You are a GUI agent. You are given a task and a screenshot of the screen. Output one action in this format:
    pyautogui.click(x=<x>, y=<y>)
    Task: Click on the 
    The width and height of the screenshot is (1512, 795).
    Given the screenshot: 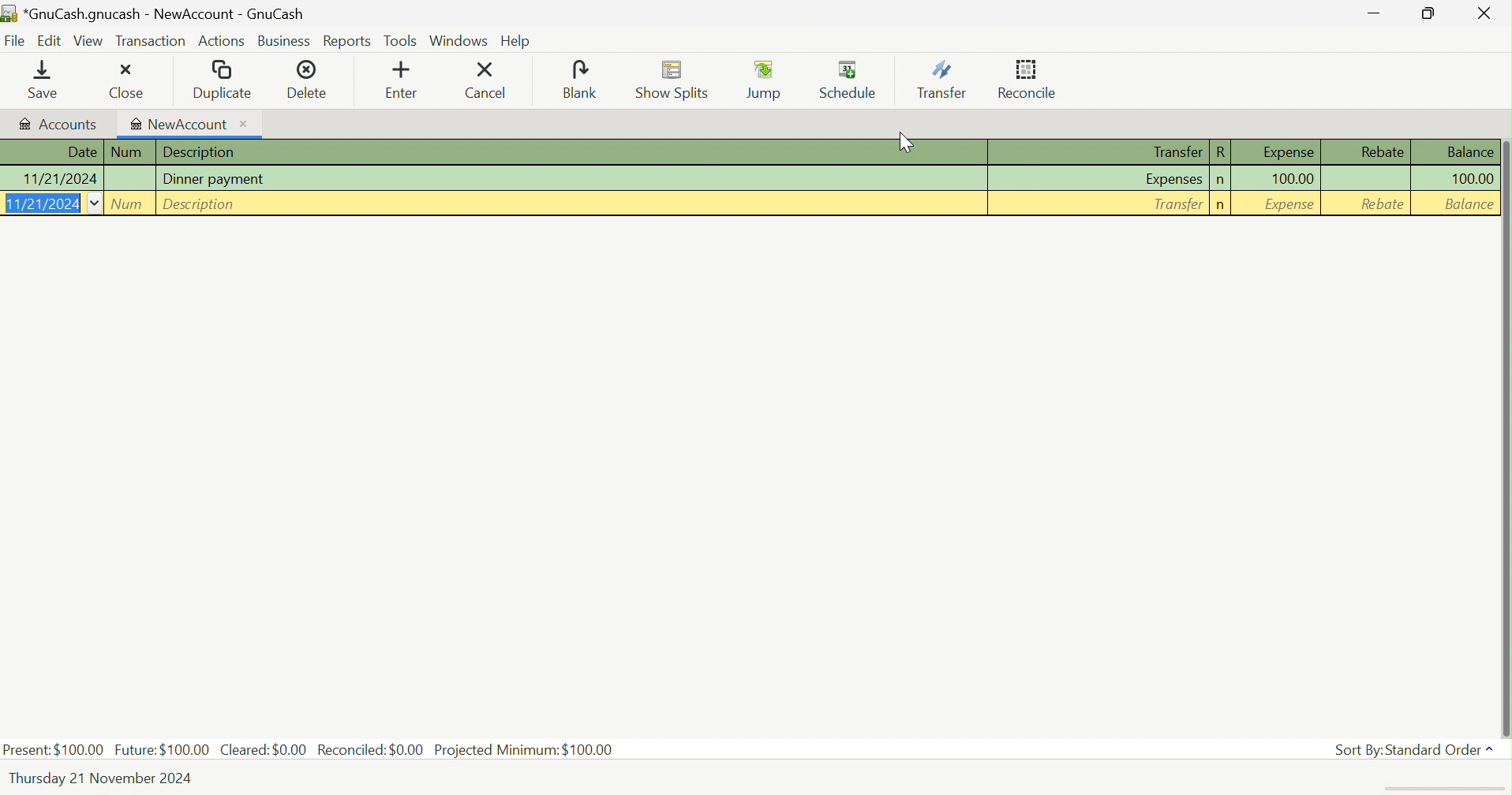 What is the action you would take?
    pyautogui.click(x=83, y=150)
    